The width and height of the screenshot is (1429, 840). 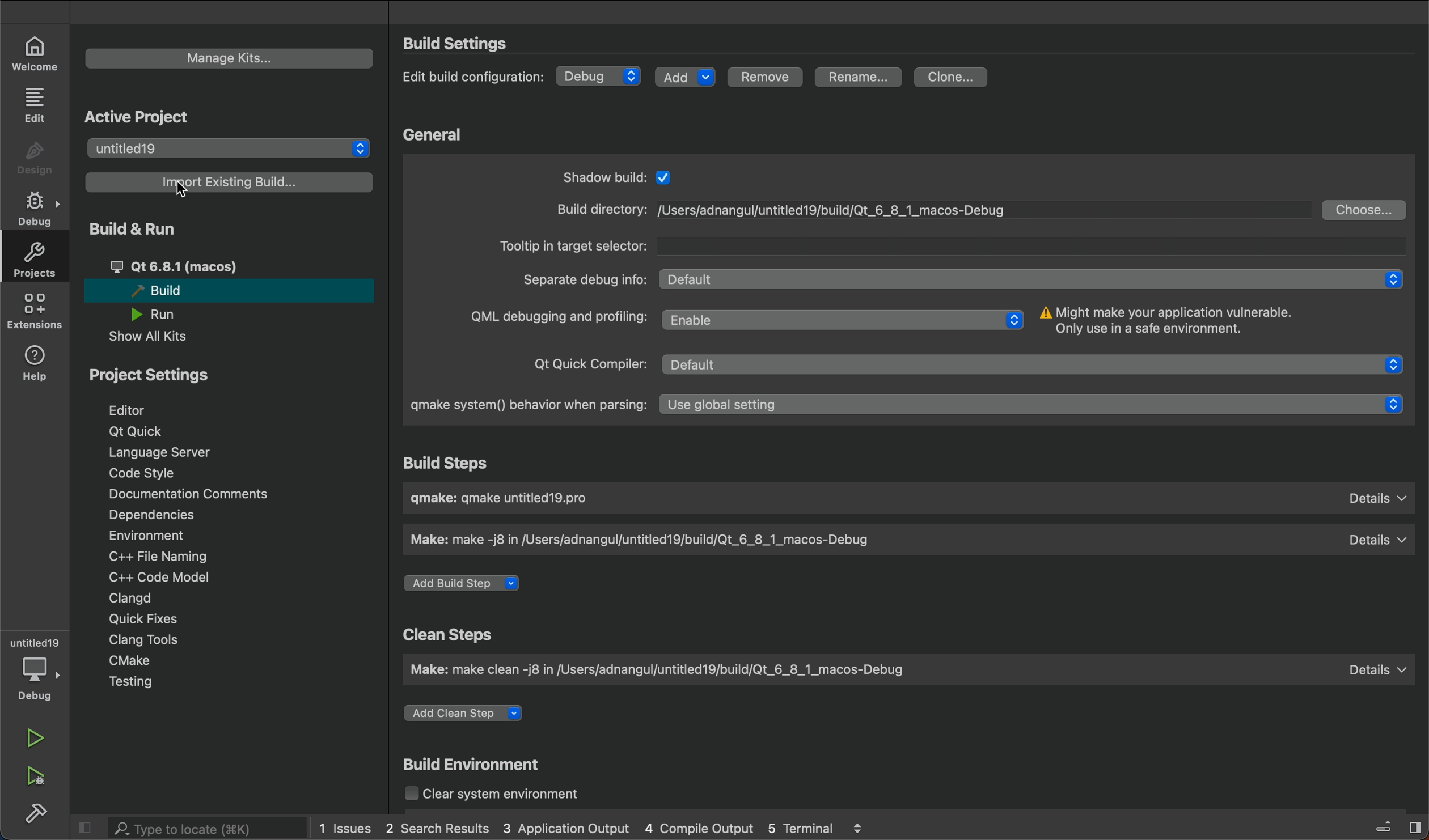 What do you see at coordinates (141, 639) in the screenshot?
I see `clang tools` at bounding box center [141, 639].